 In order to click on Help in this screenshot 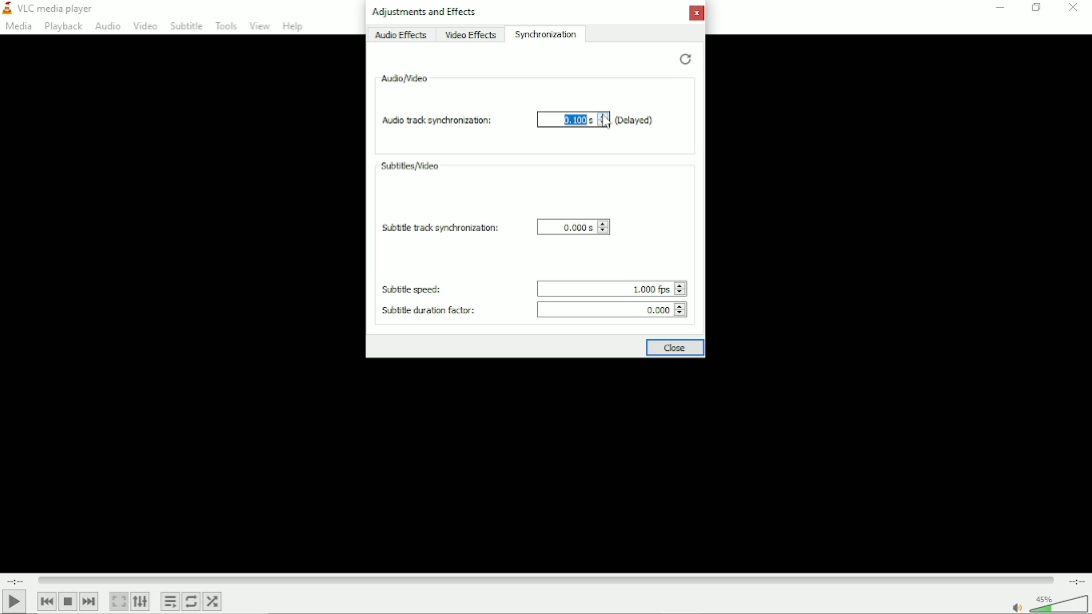, I will do `click(294, 26)`.